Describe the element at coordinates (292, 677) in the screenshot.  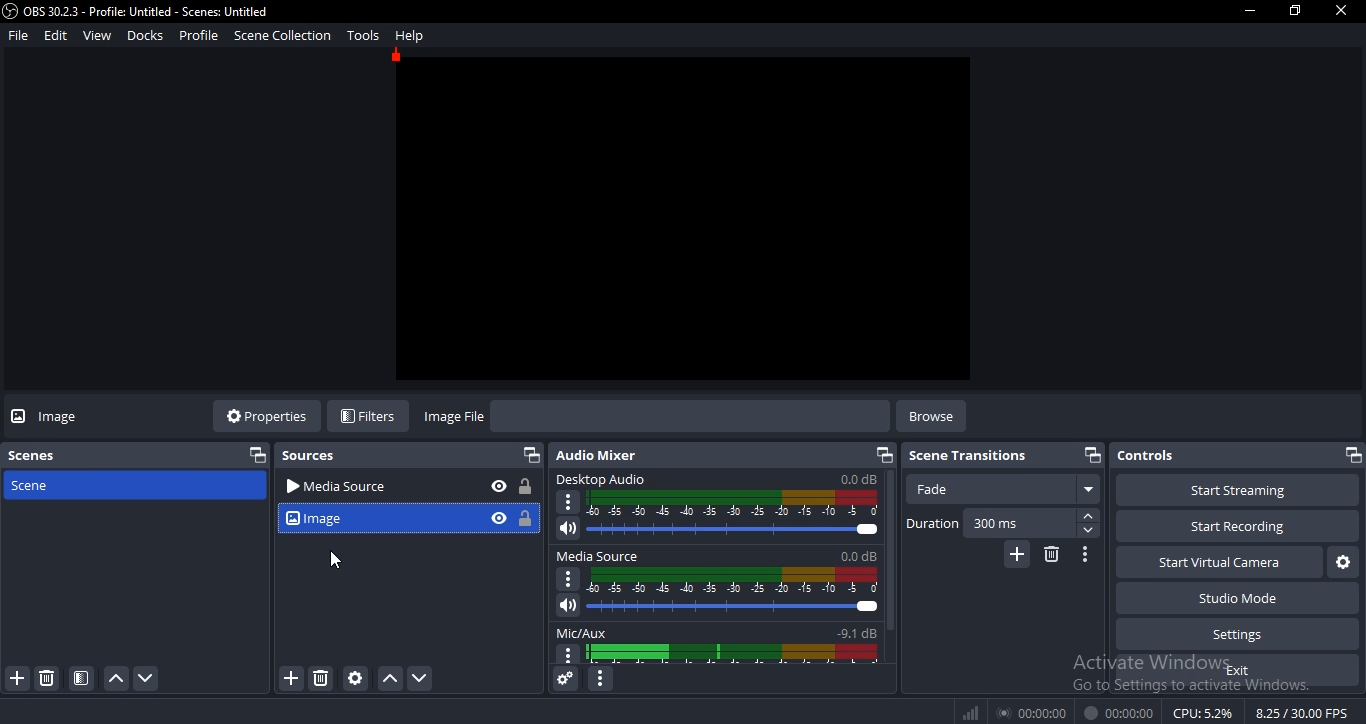
I see `add source` at that location.